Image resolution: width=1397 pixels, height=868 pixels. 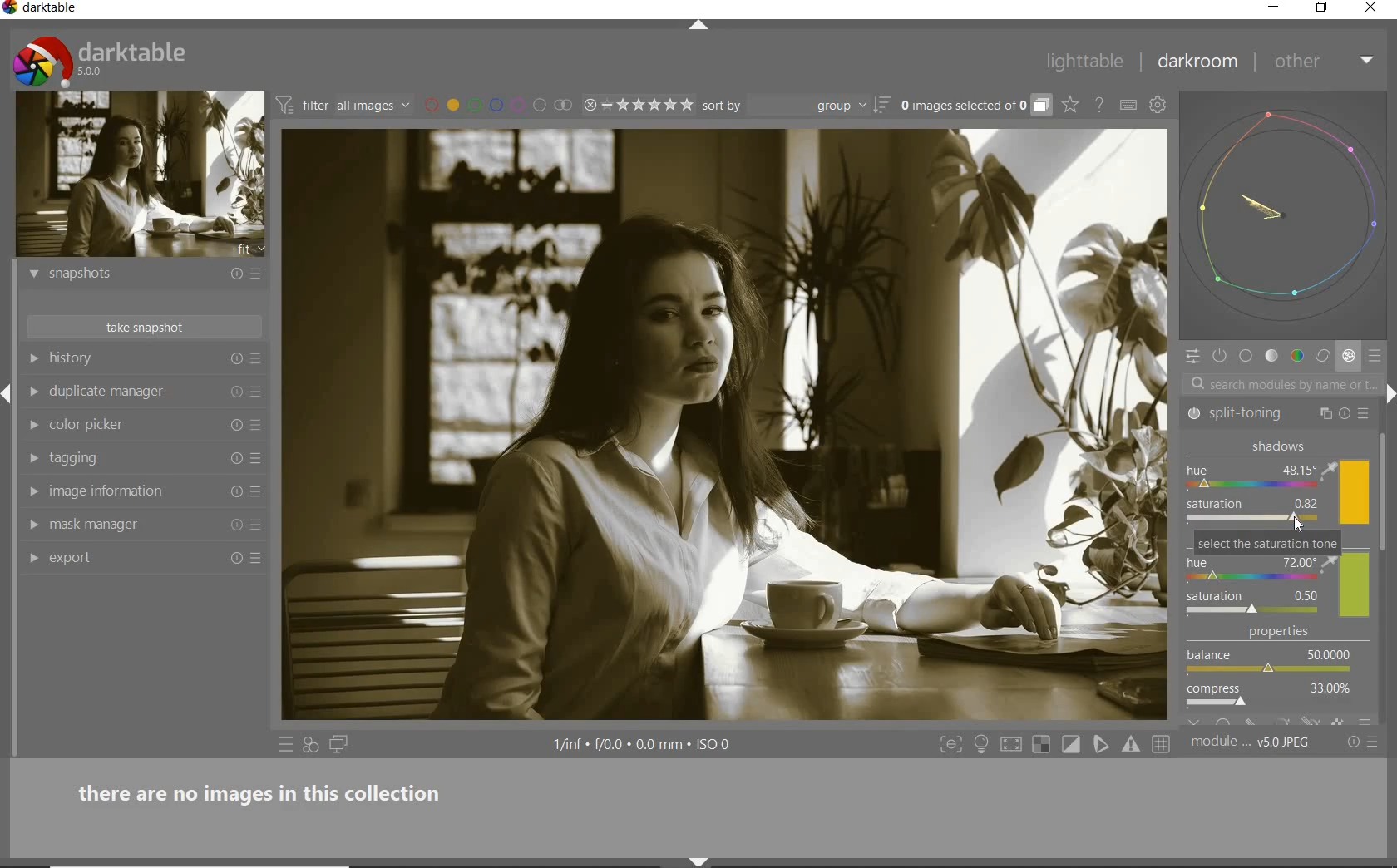 I want to click on toggle clipping indication, so click(x=1073, y=744).